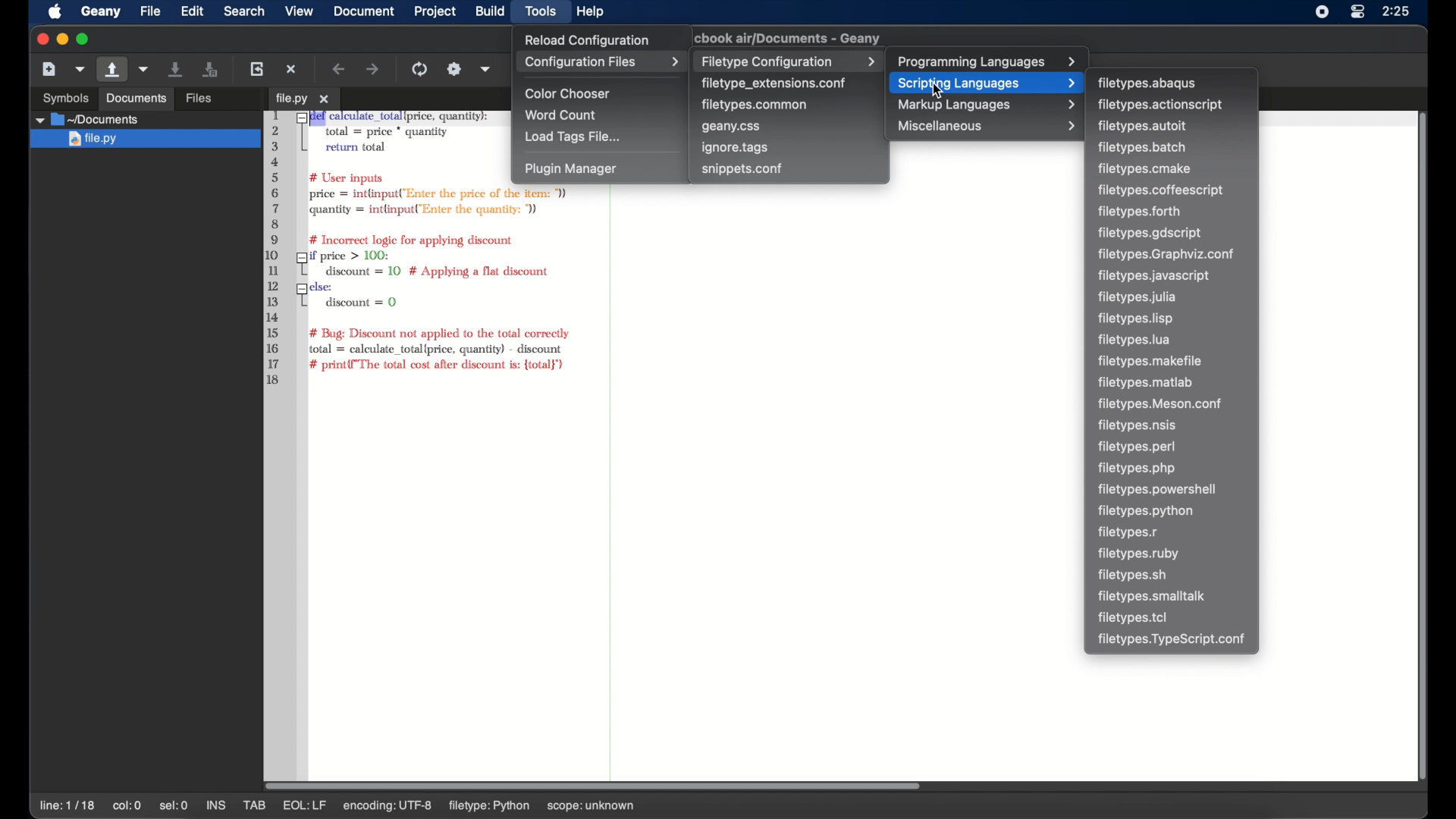  Describe the element at coordinates (1146, 512) in the screenshot. I see `filetypes` at that location.